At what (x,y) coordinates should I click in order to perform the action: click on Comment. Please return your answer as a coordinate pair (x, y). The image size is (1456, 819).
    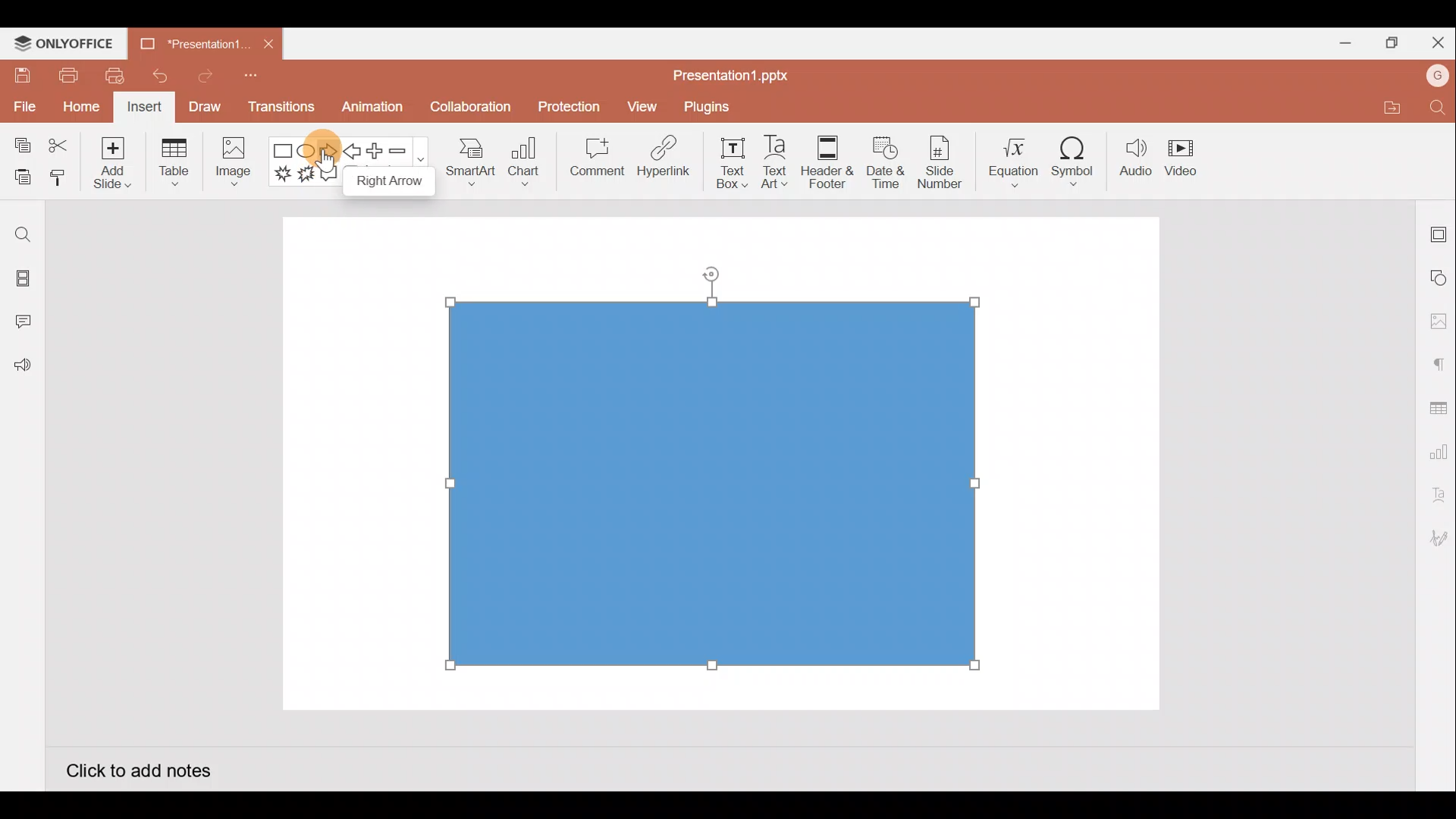
    Looking at the image, I should click on (591, 160).